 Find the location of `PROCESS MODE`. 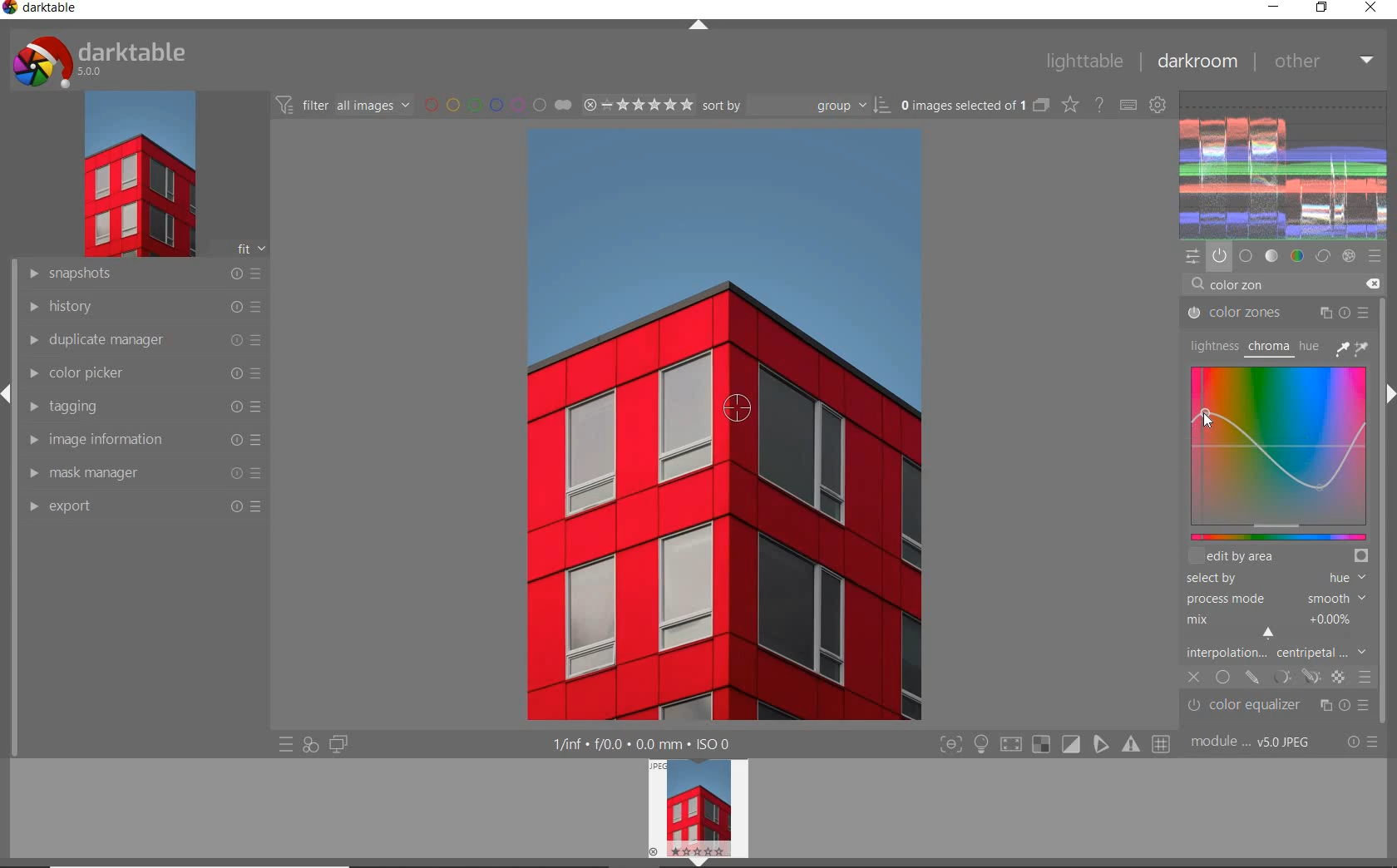

PROCESS MODE is located at coordinates (1274, 598).